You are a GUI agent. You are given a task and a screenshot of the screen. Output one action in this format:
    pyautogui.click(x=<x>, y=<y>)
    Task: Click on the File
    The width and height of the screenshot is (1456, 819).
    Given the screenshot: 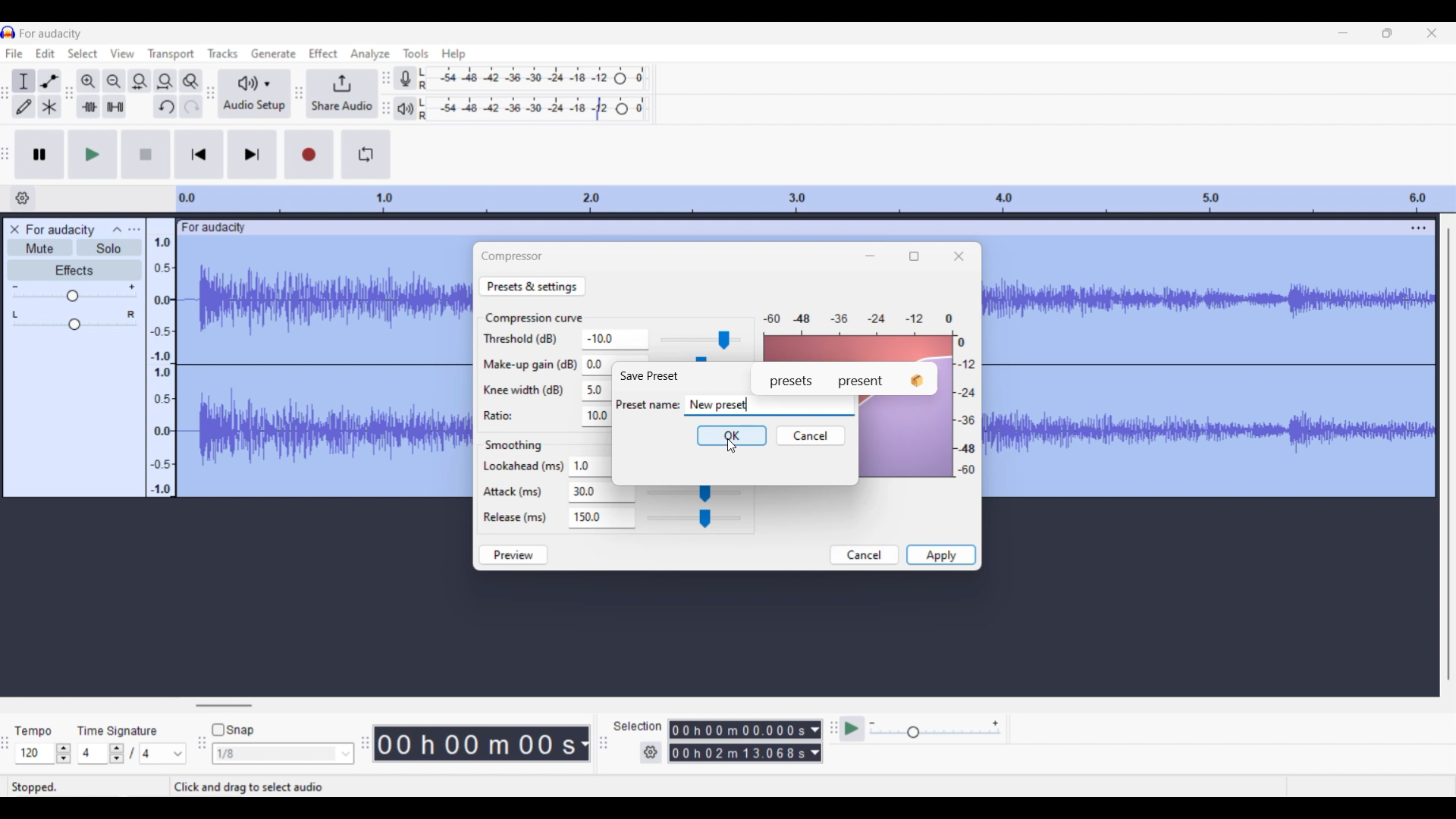 What is the action you would take?
    pyautogui.click(x=14, y=53)
    